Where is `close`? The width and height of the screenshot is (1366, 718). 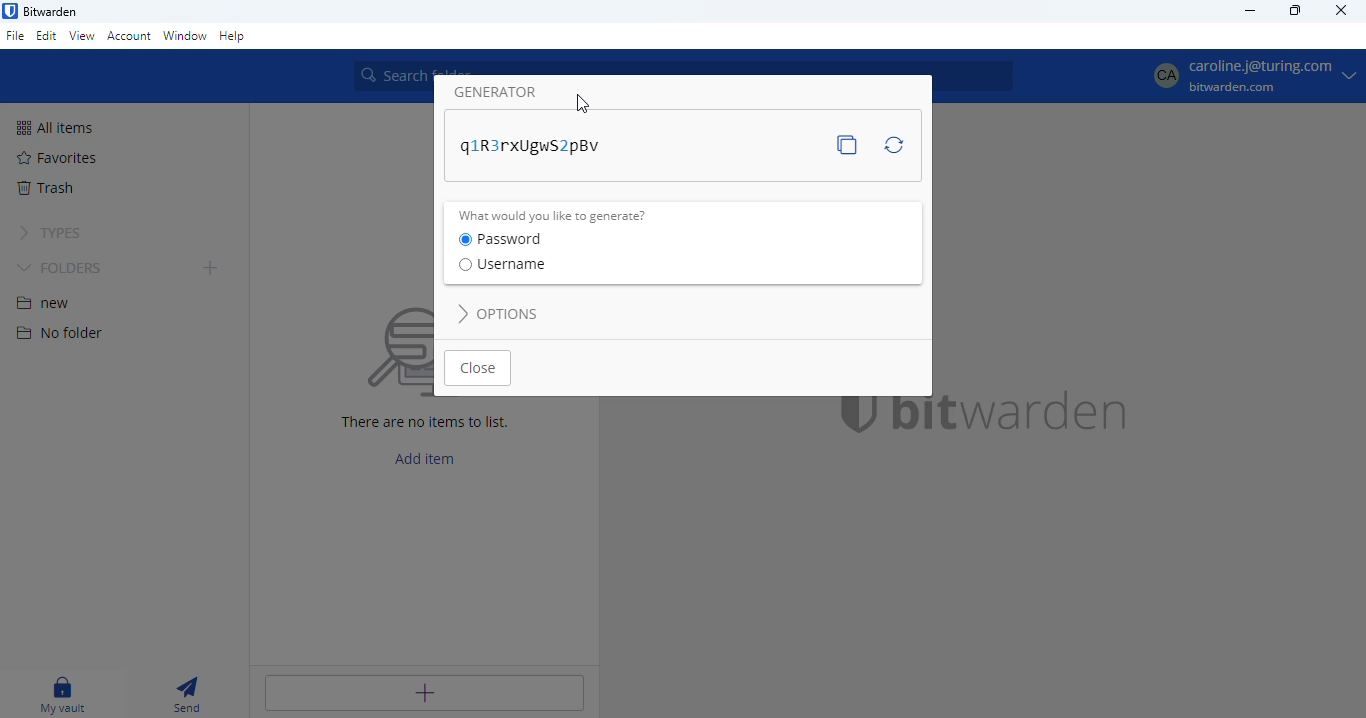 close is located at coordinates (479, 368).